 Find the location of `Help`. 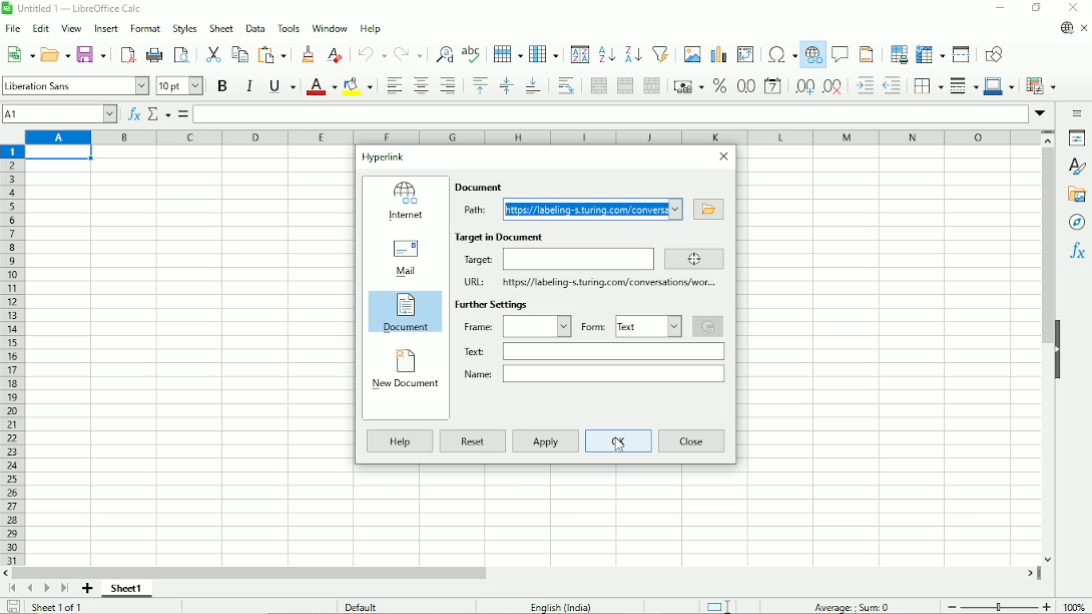

Help is located at coordinates (399, 441).